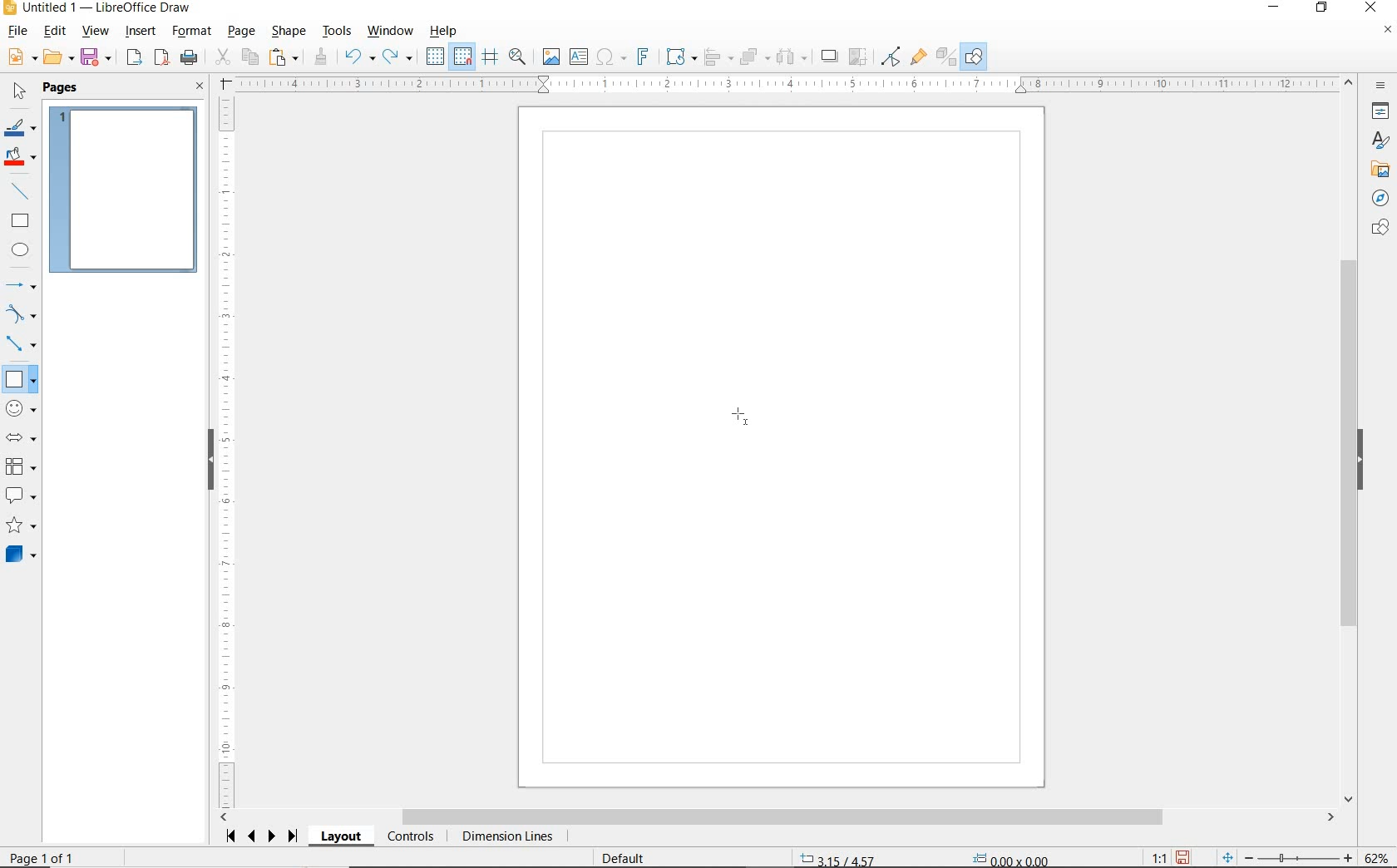 The height and width of the screenshot is (868, 1397). I want to click on SHOW DRAW FUNCTIONS, so click(975, 57).